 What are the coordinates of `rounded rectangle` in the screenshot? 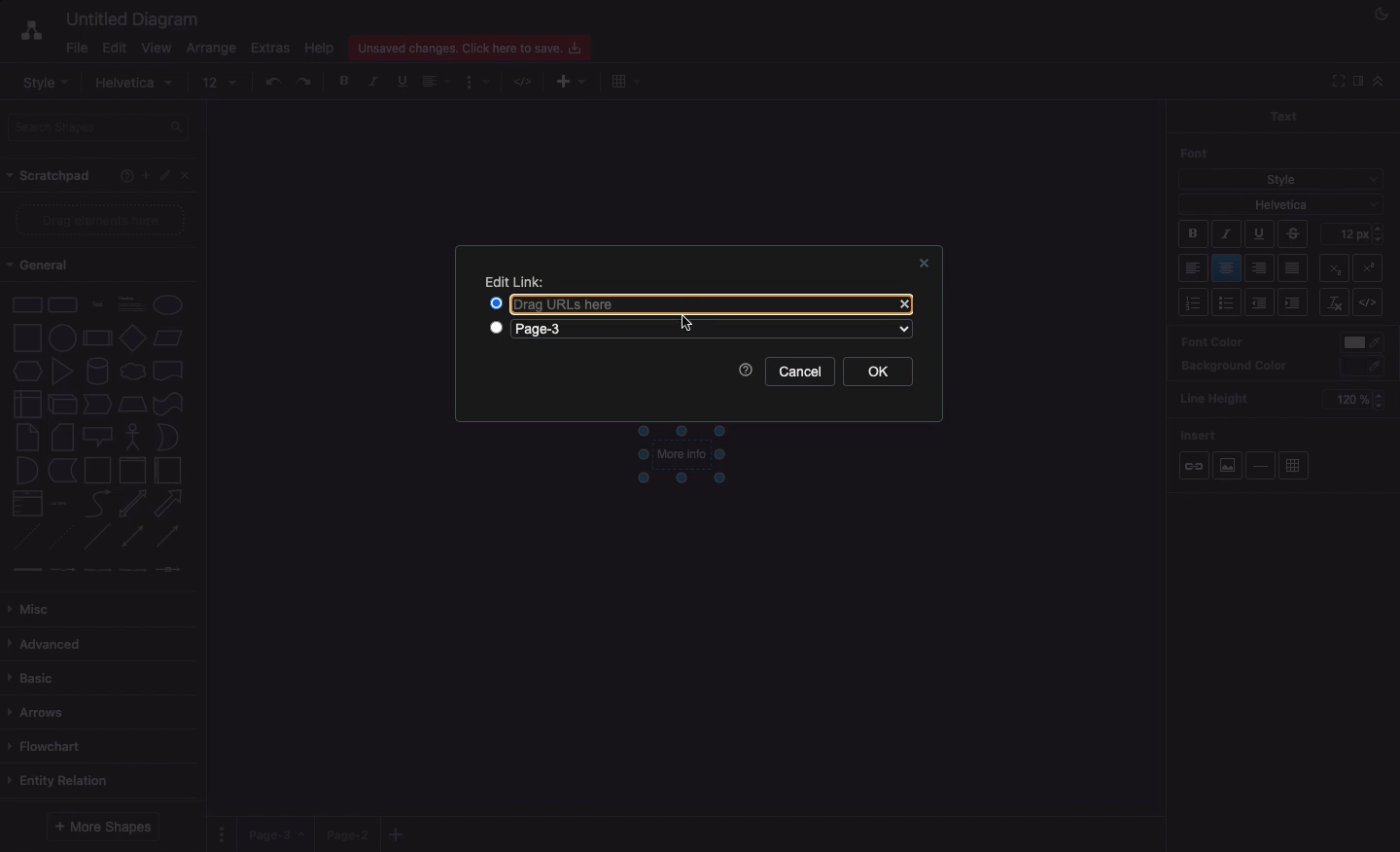 It's located at (63, 303).